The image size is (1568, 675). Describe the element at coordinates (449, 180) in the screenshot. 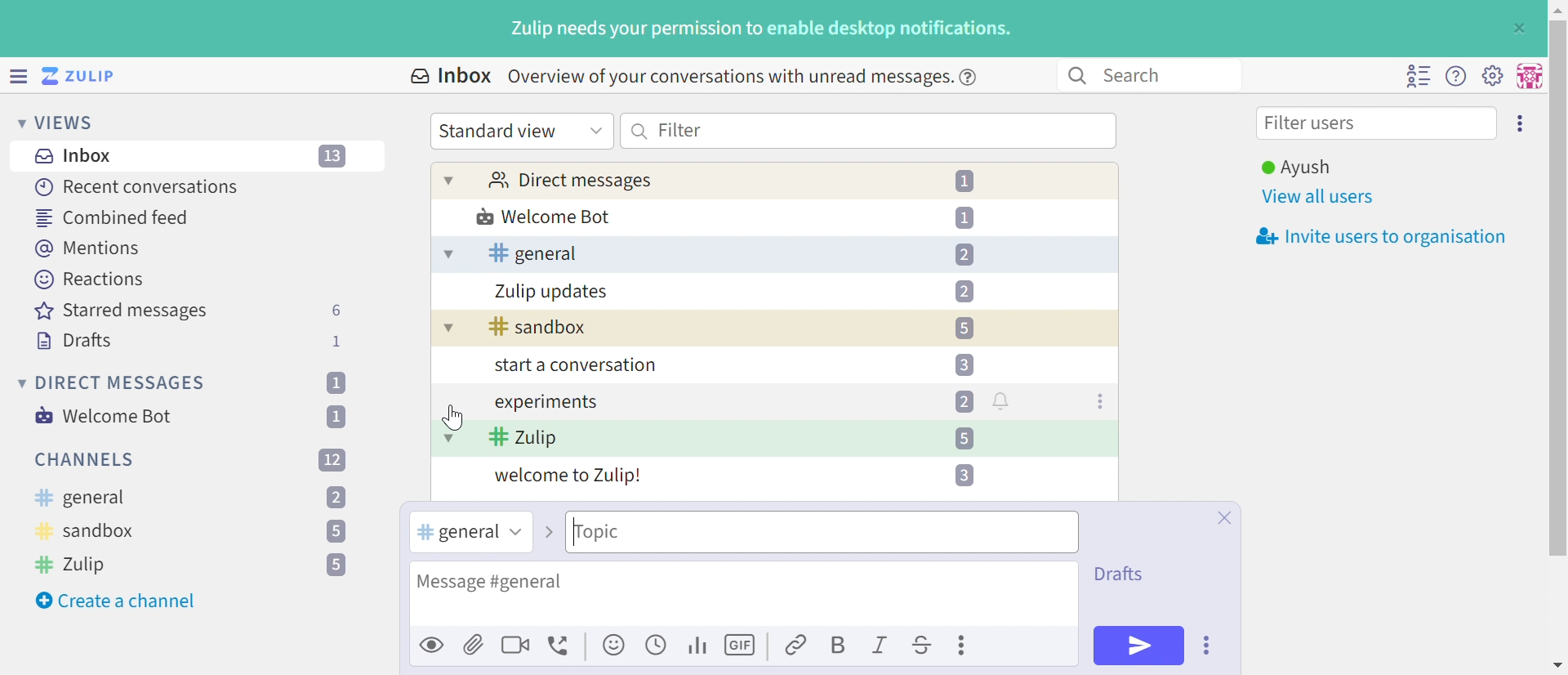

I see `Drop Down` at that location.